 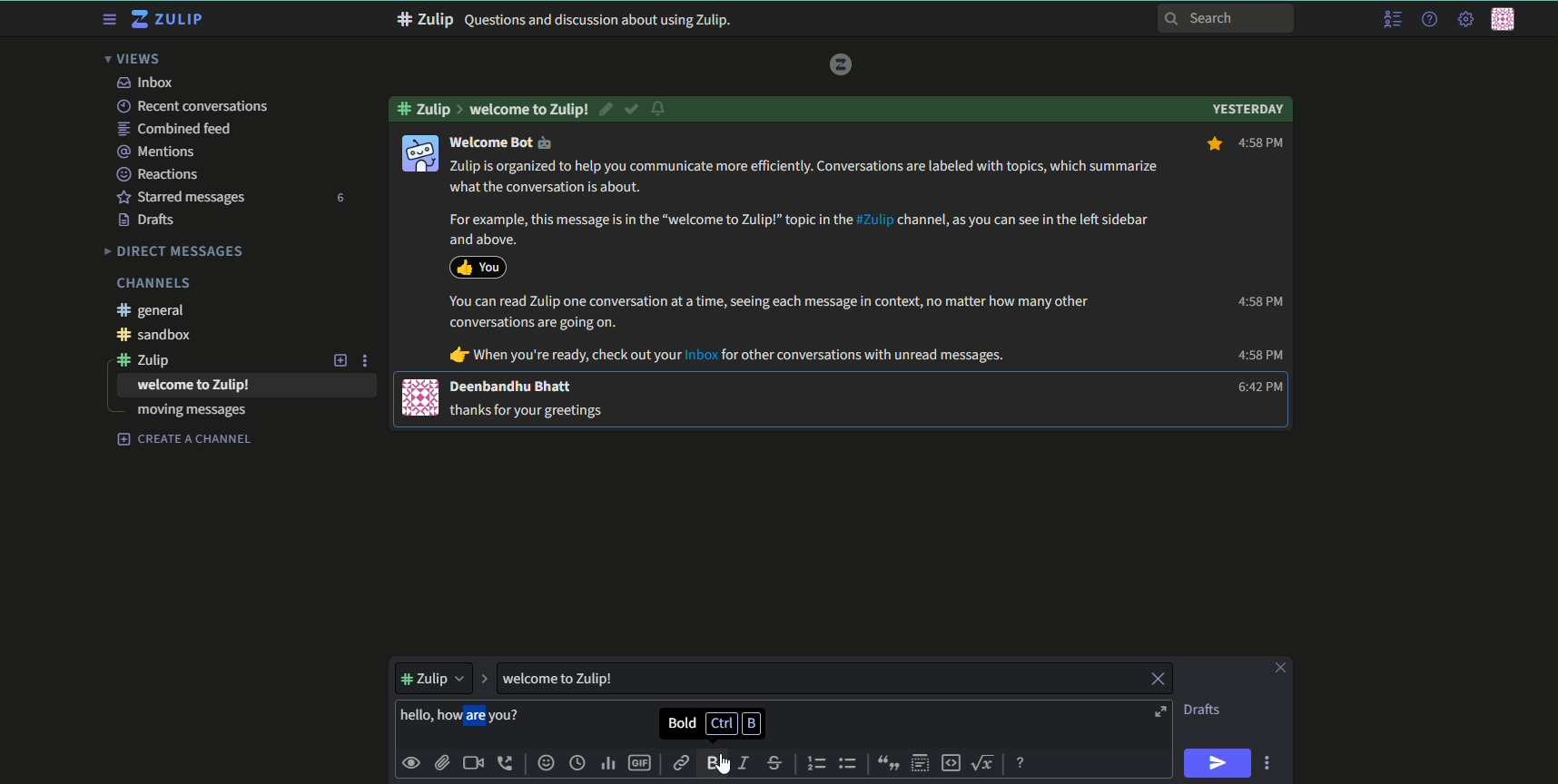 What do you see at coordinates (1255, 387) in the screenshot?
I see `6:42 PM` at bounding box center [1255, 387].